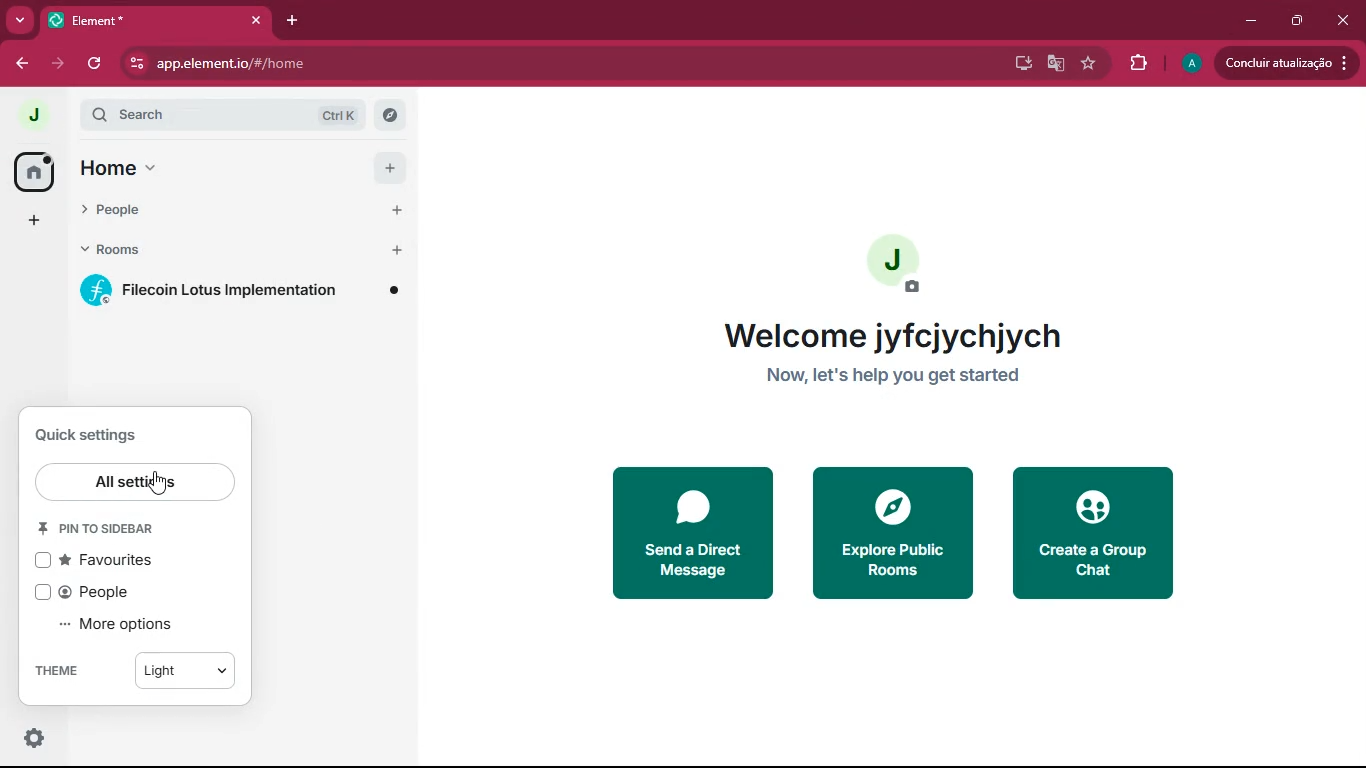 This screenshot has width=1366, height=768. Describe the element at coordinates (203, 170) in the screenshot. I see `home` at that location.